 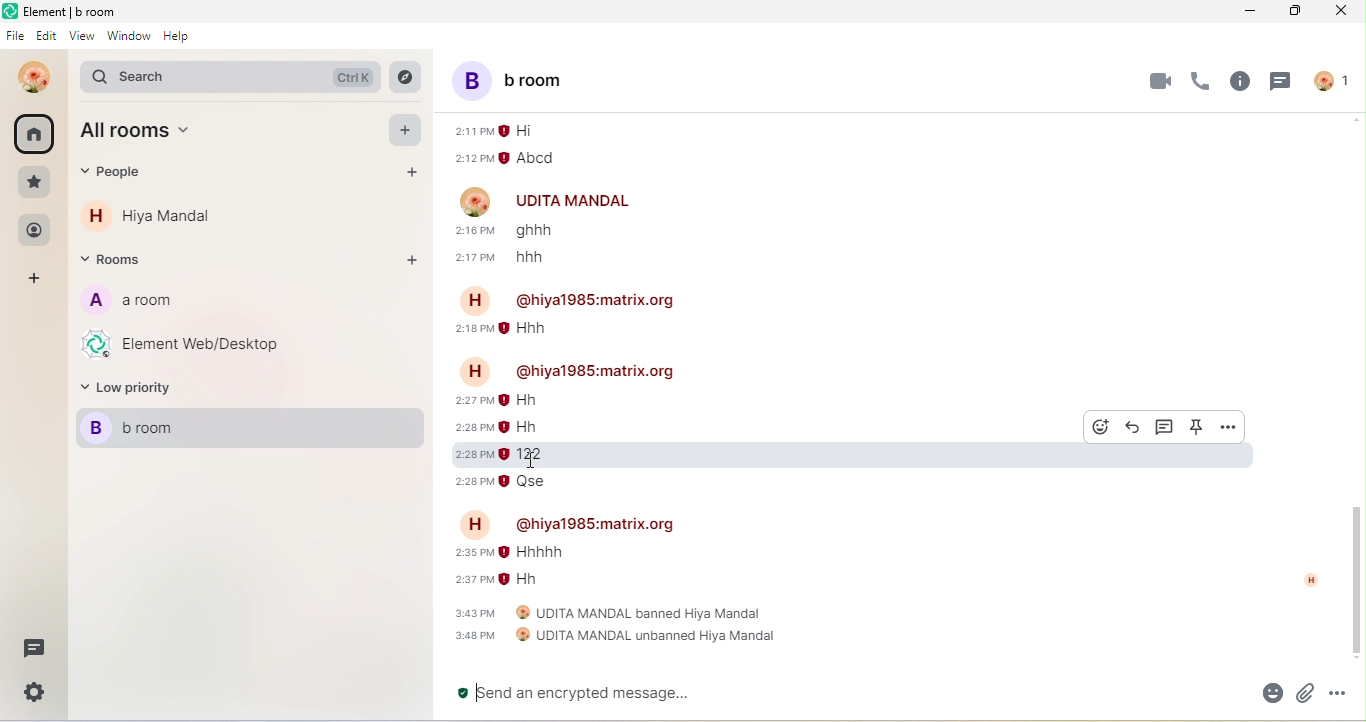 What do you see at coordinates (596, 370) in the screenshot?
I see `@hiya1985:matrix.org` at bounding box center [596, 370].